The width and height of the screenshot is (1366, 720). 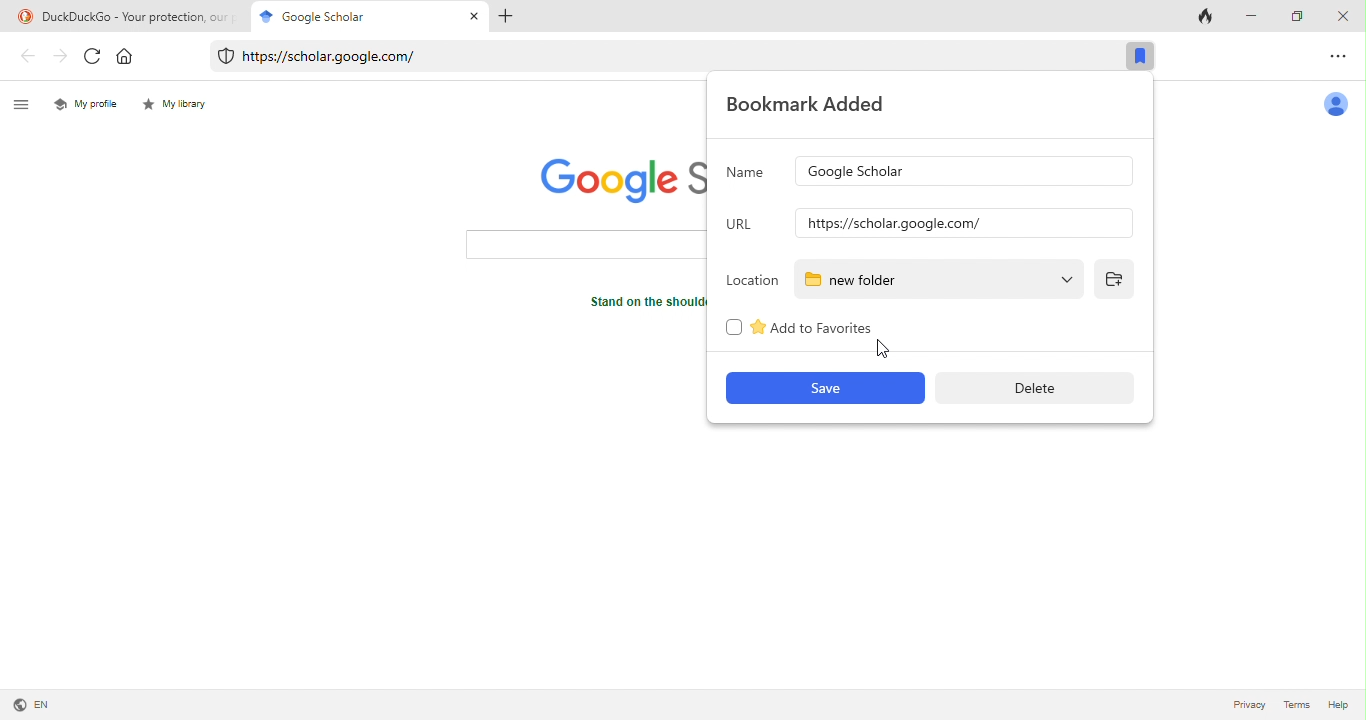 I want to click on track tab, so click(x=1210, y=15).